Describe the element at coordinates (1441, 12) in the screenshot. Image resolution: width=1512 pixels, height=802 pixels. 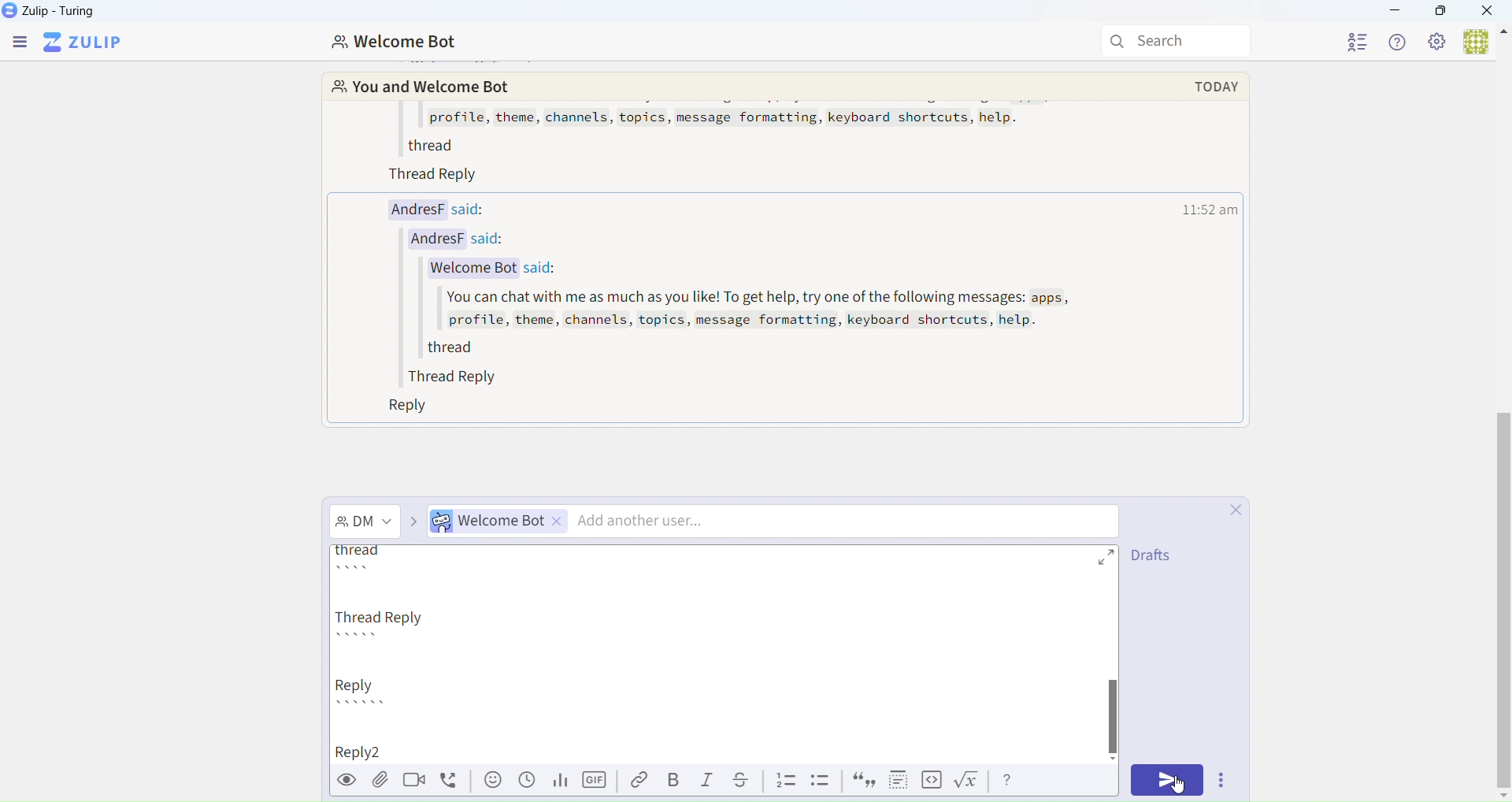
I see `Box` at that location.